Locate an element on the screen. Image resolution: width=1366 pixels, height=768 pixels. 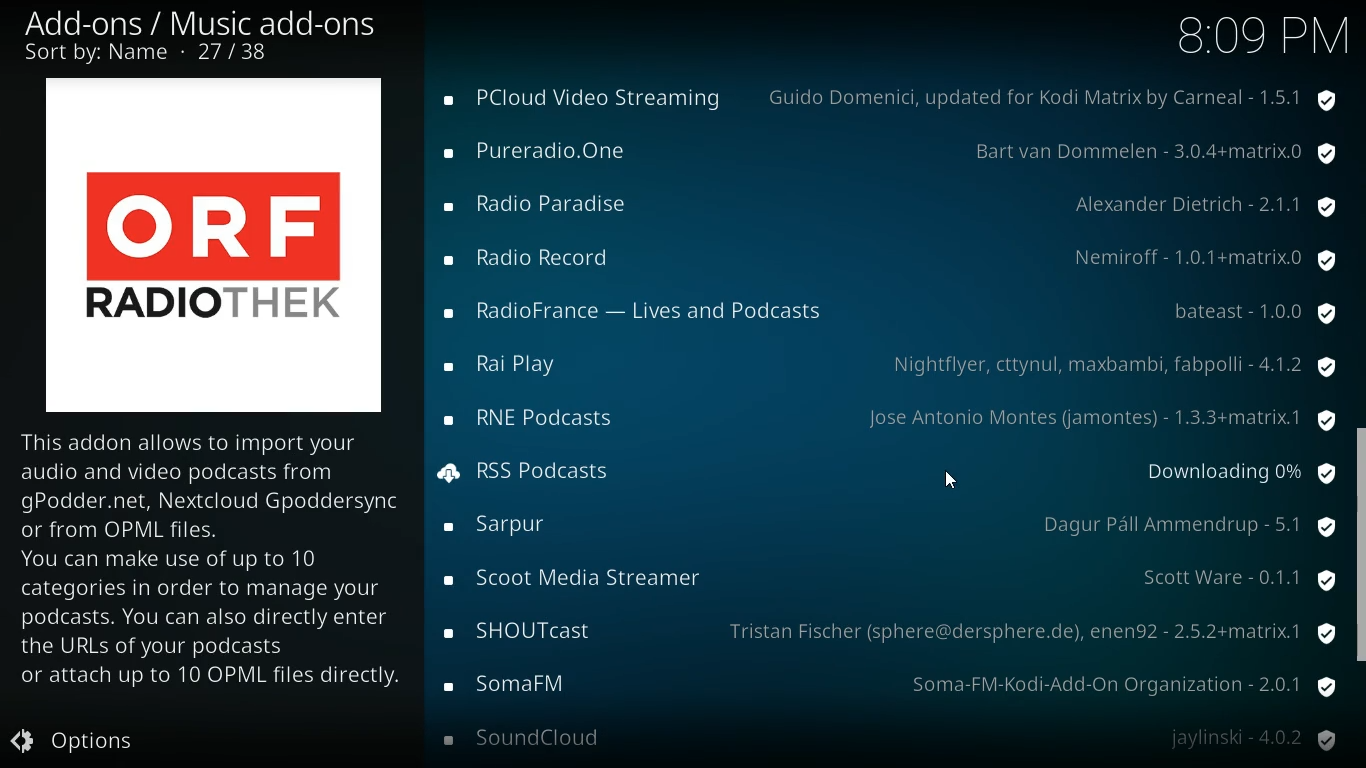
description is located at coordinates (216, 571).